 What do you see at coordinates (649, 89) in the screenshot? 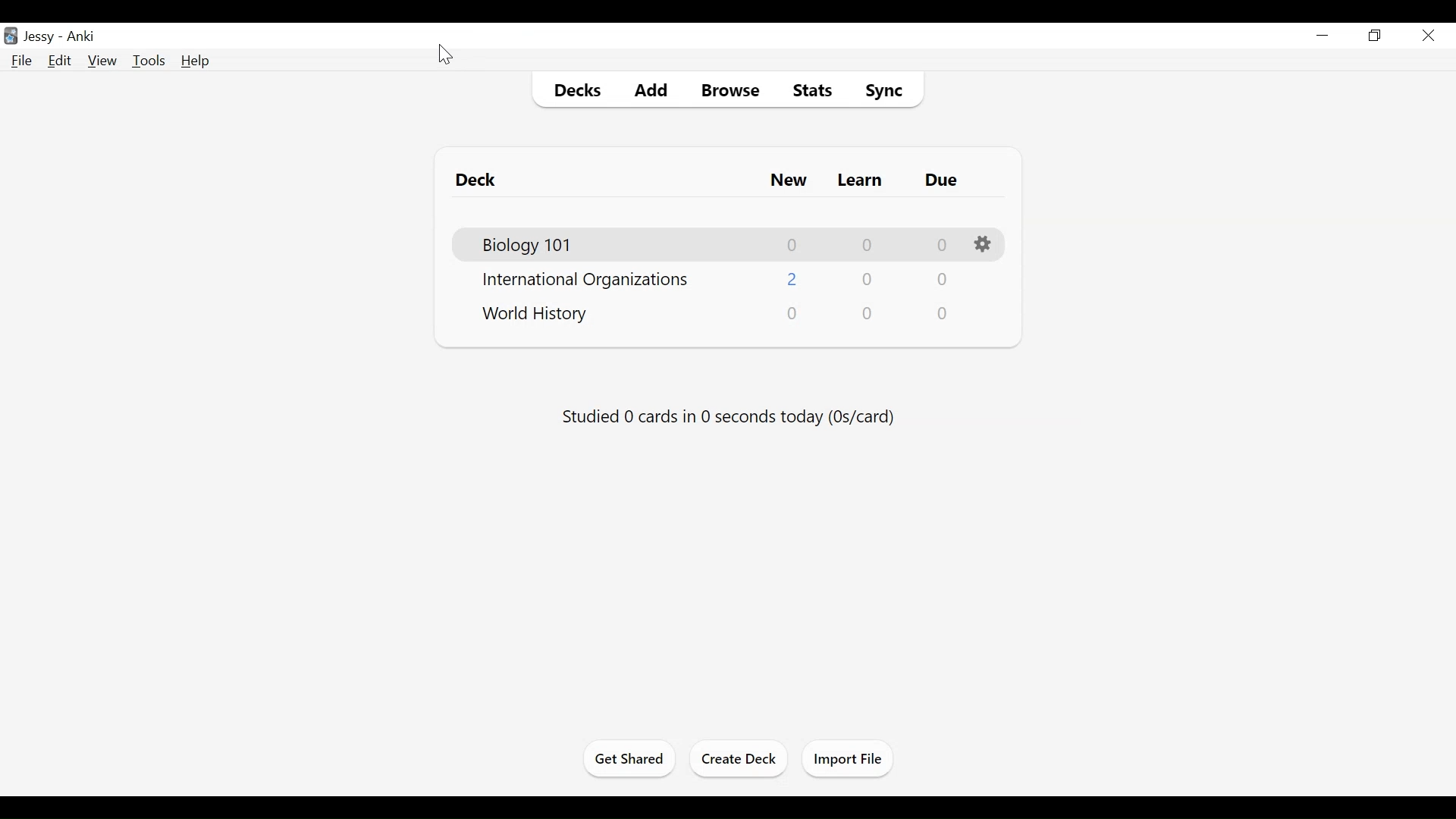
I see `Add` at bounding box center [649, 89].